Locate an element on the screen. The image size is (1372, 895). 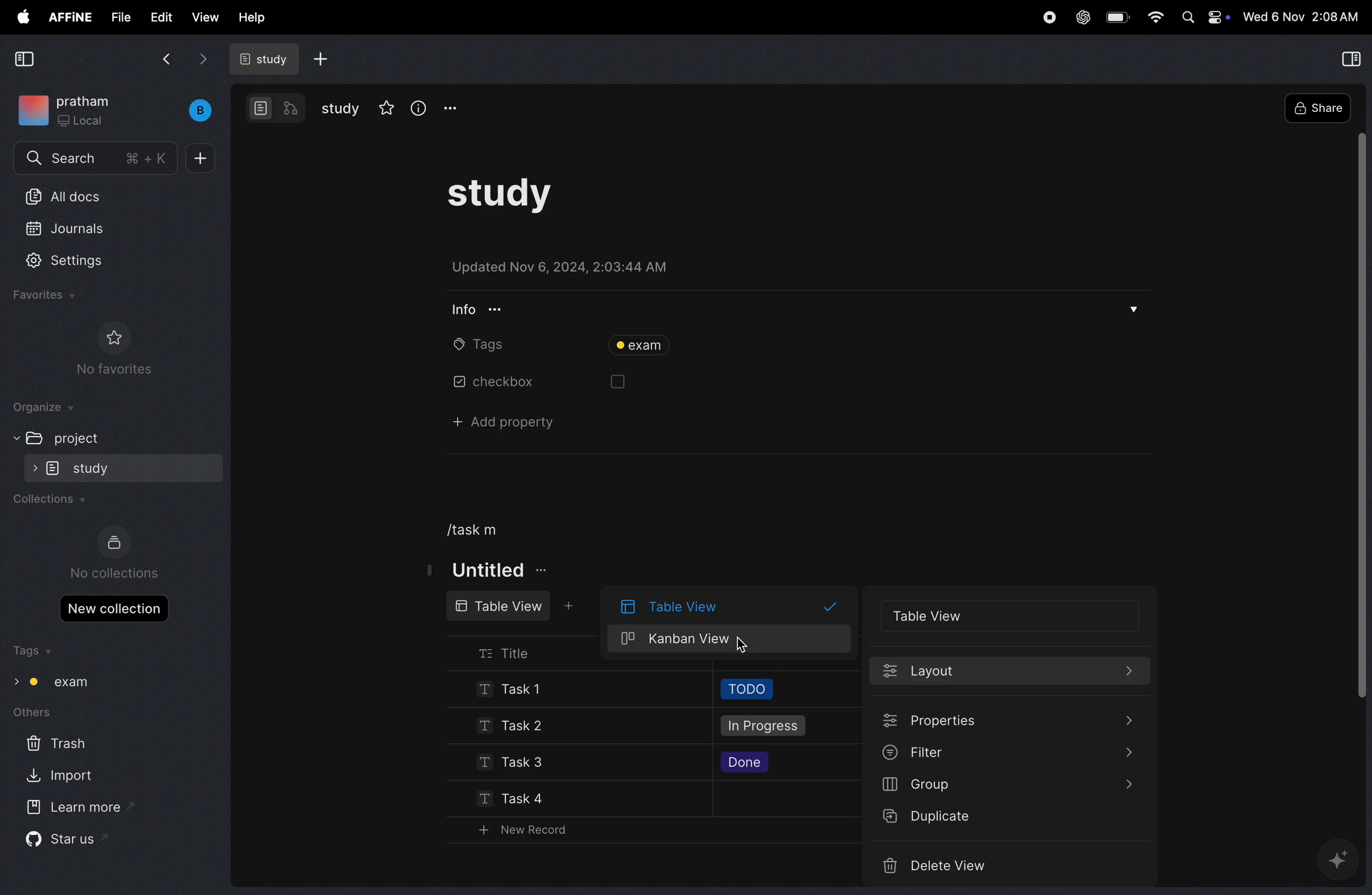
no collections is located at coordinates (116, 552).